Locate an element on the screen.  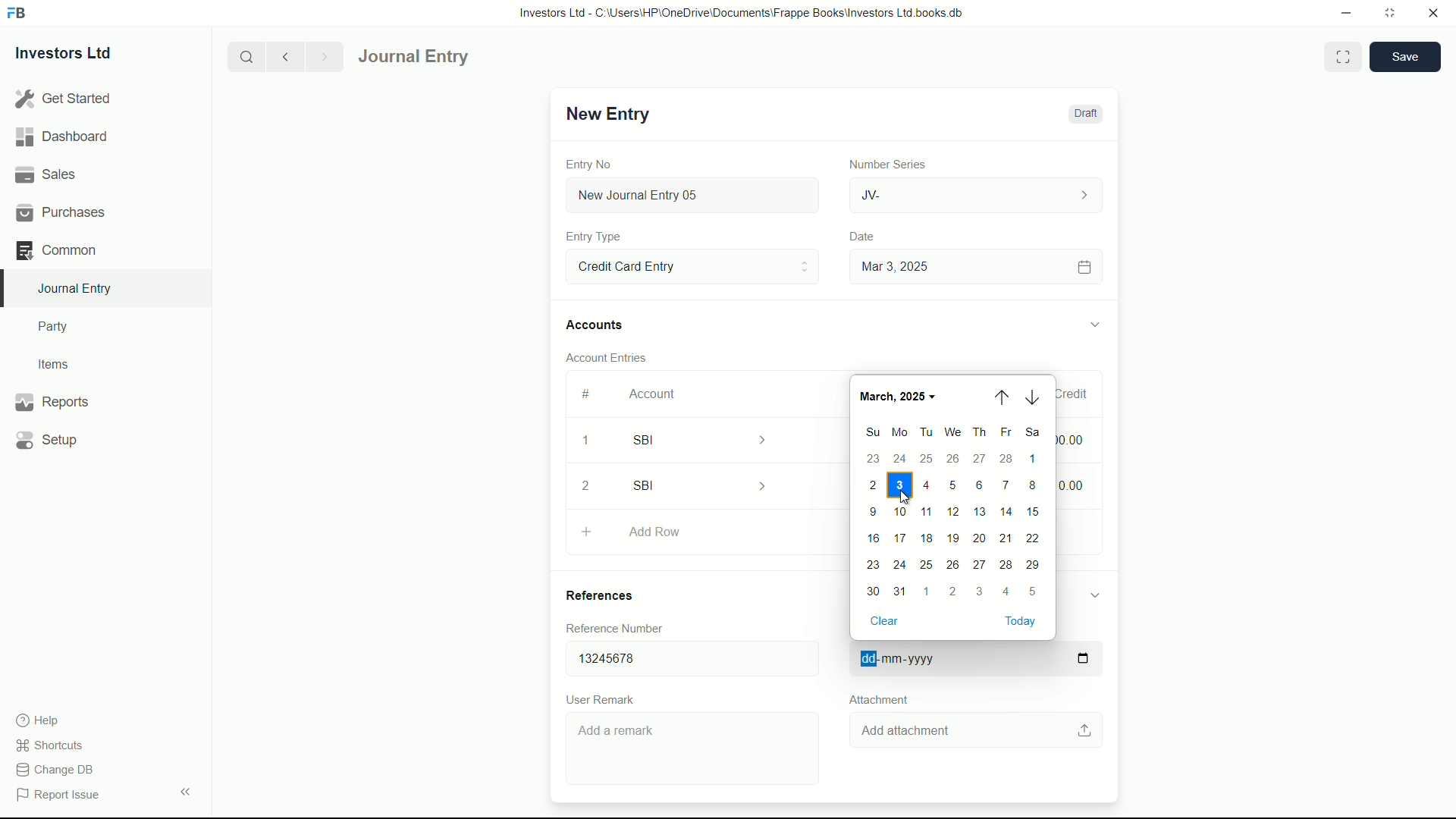
previous is located at coordinates (284, 56).